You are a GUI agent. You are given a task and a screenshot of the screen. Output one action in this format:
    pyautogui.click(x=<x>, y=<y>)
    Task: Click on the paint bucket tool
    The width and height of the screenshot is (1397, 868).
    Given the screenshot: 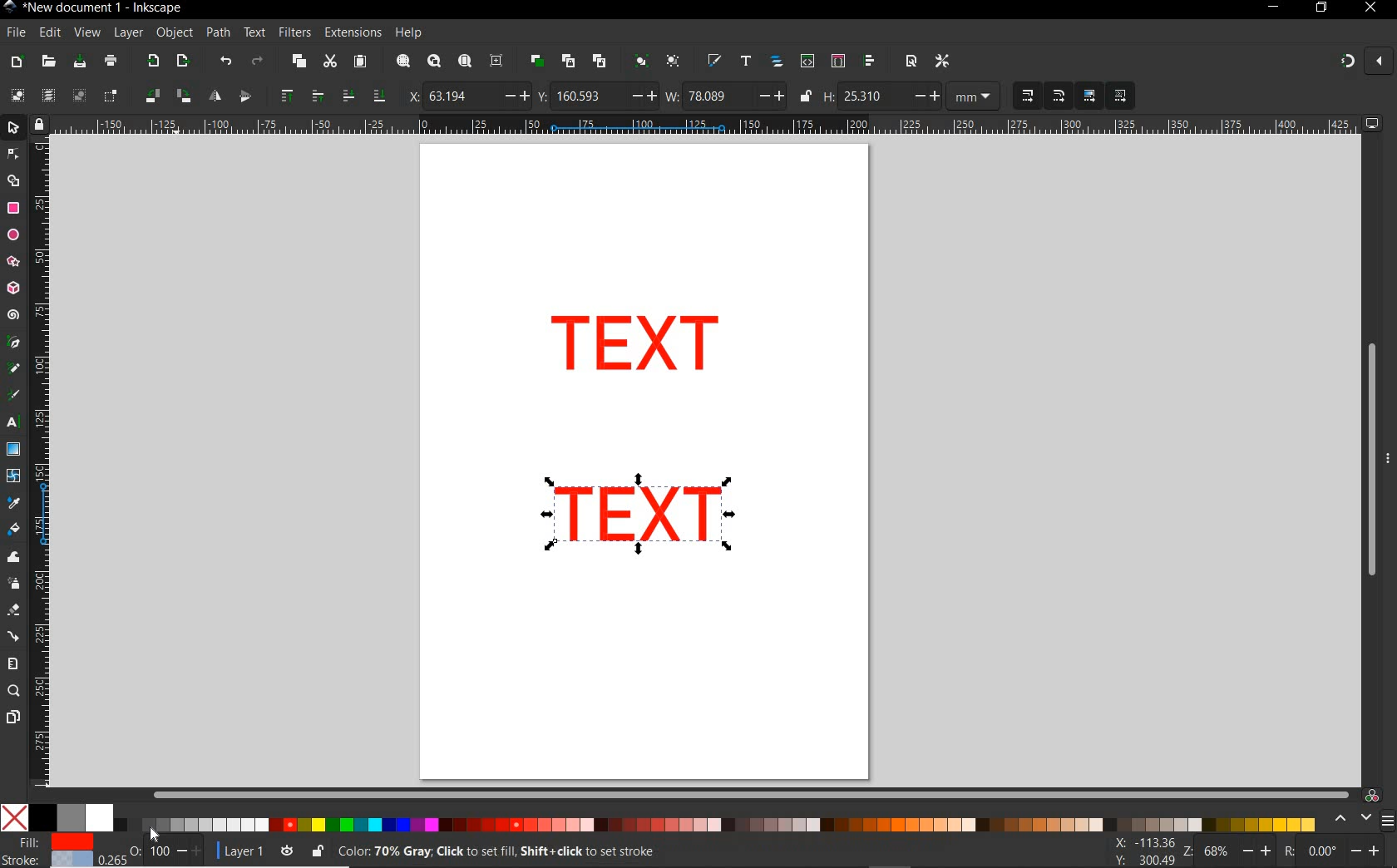 What is the action you would take?
    pyautogui.click(x=14, y=530)
    